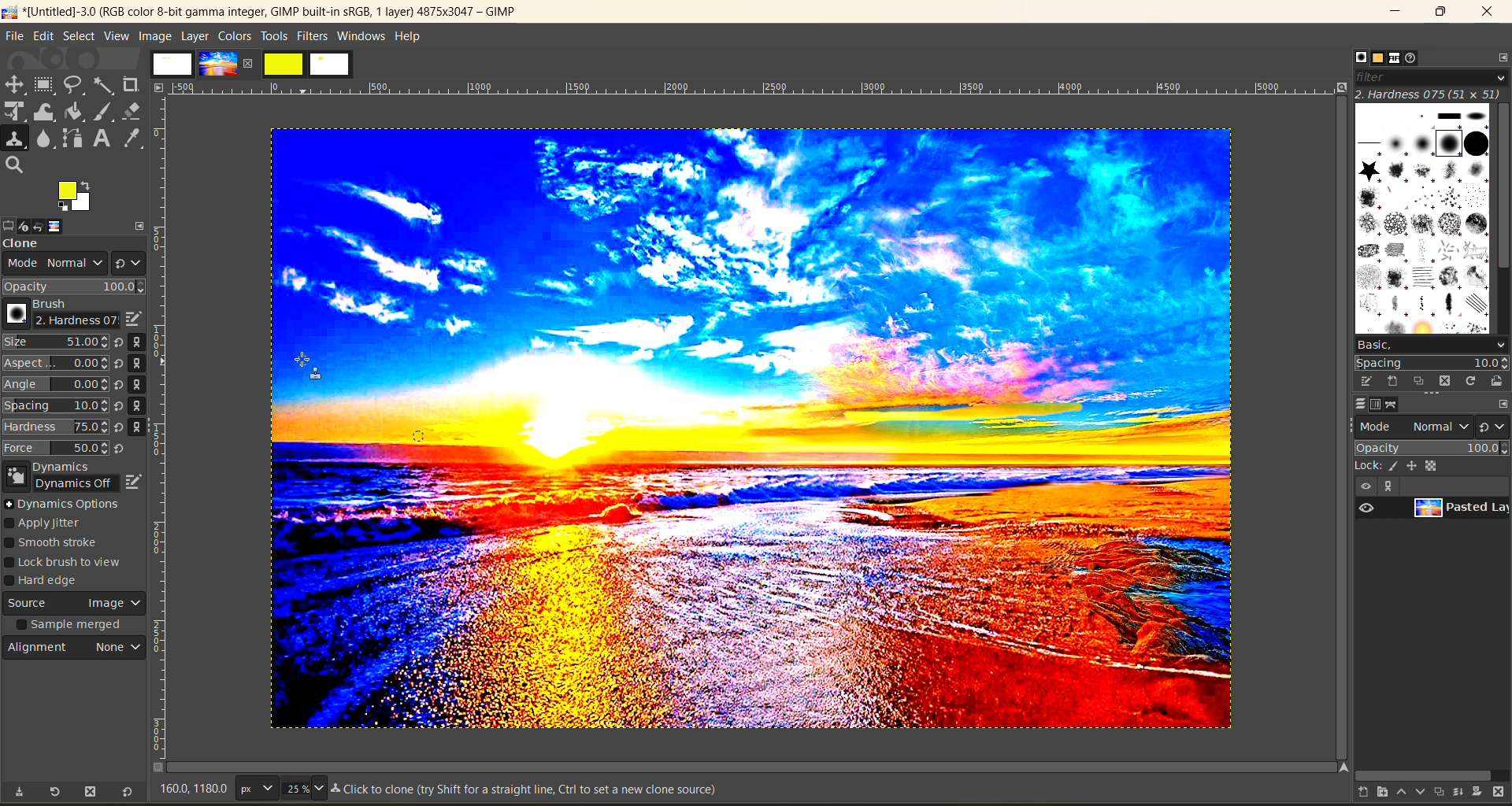  Describe the element at coordinates (159, 87) in the screenshot. I see `` at that location.